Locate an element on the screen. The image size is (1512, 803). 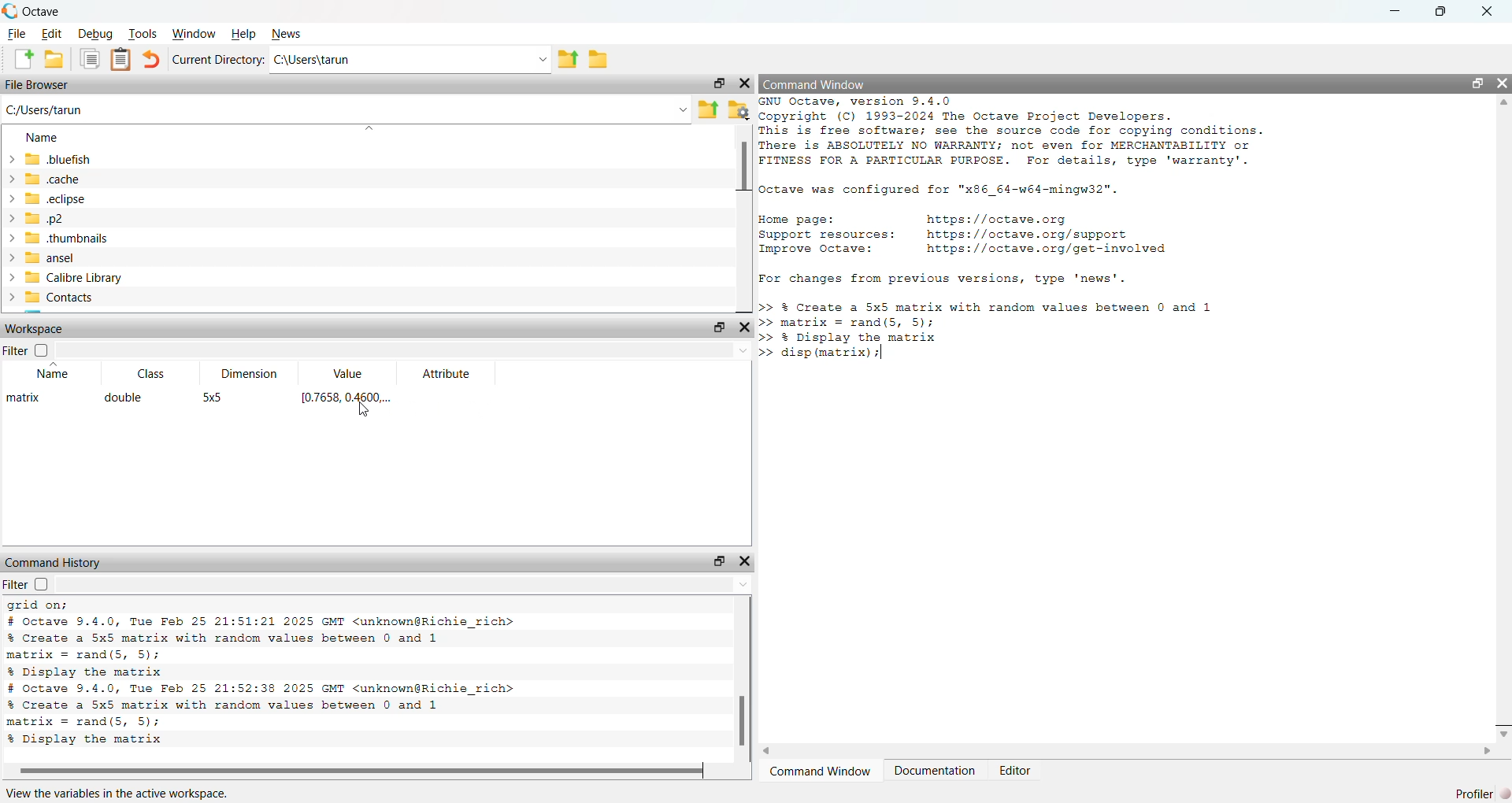
close is located at coordinates (1502, 84).